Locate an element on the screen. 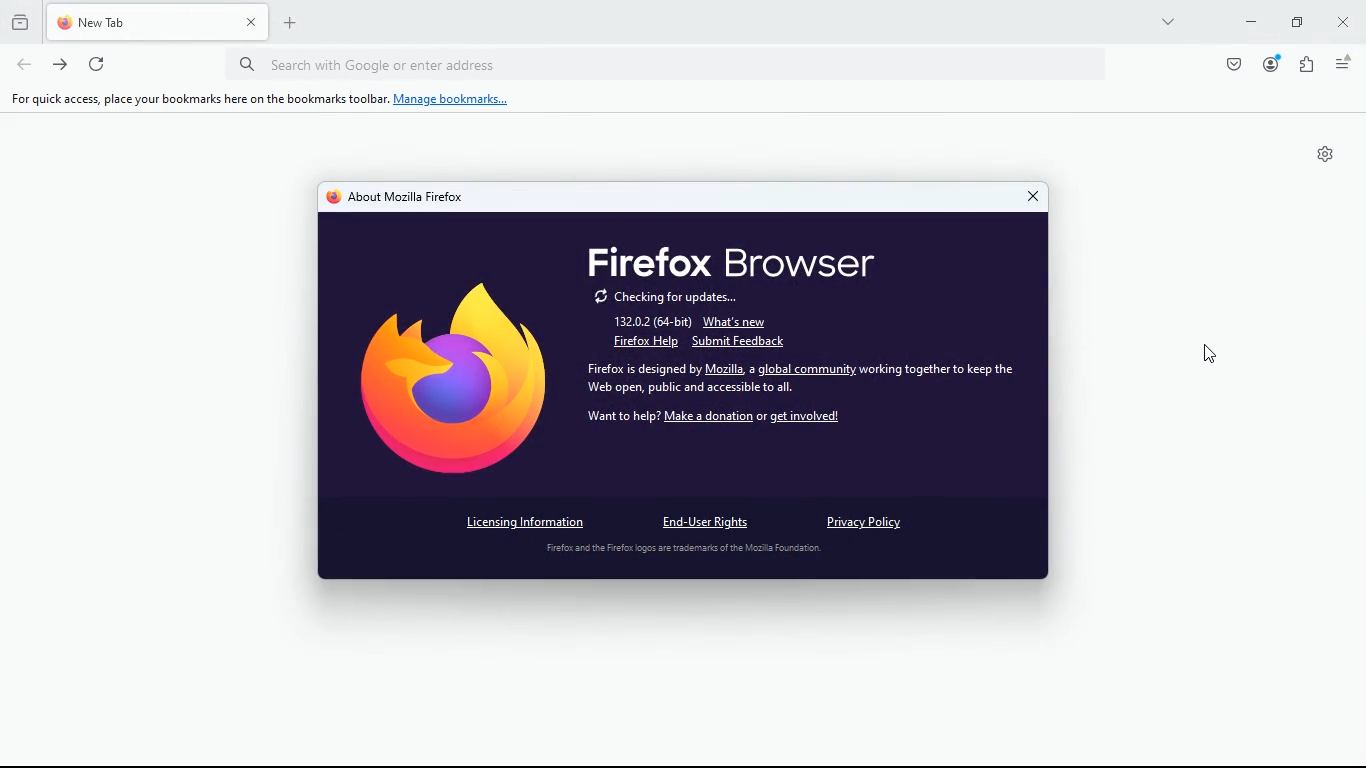 The height and width of the screenshot is (768, 1366). close is located at coordinates (1038, 194).